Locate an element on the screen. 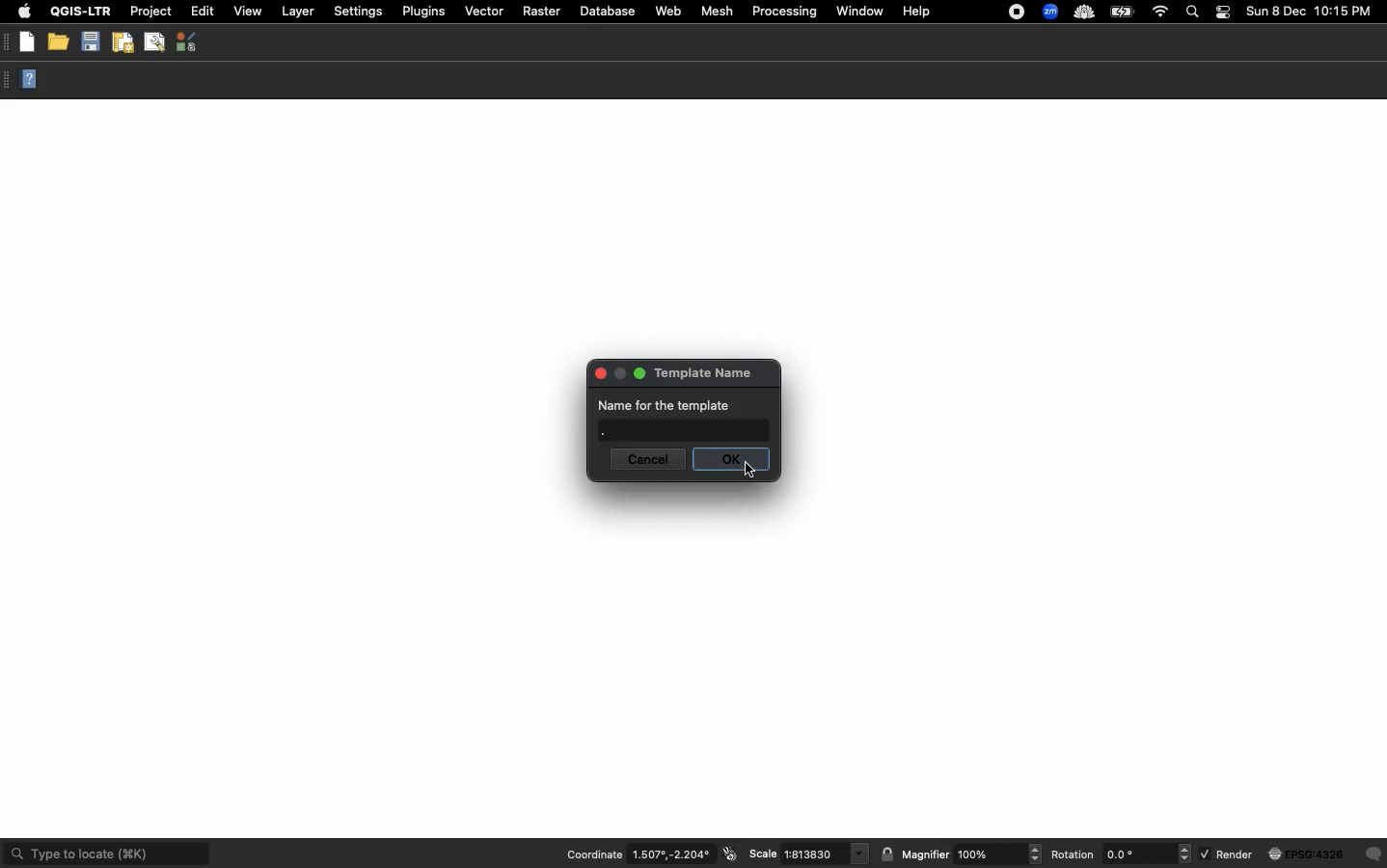 Image resolution: width=1387 pixels, height=868 pixels. Raster is located at coordinates (542, 10).